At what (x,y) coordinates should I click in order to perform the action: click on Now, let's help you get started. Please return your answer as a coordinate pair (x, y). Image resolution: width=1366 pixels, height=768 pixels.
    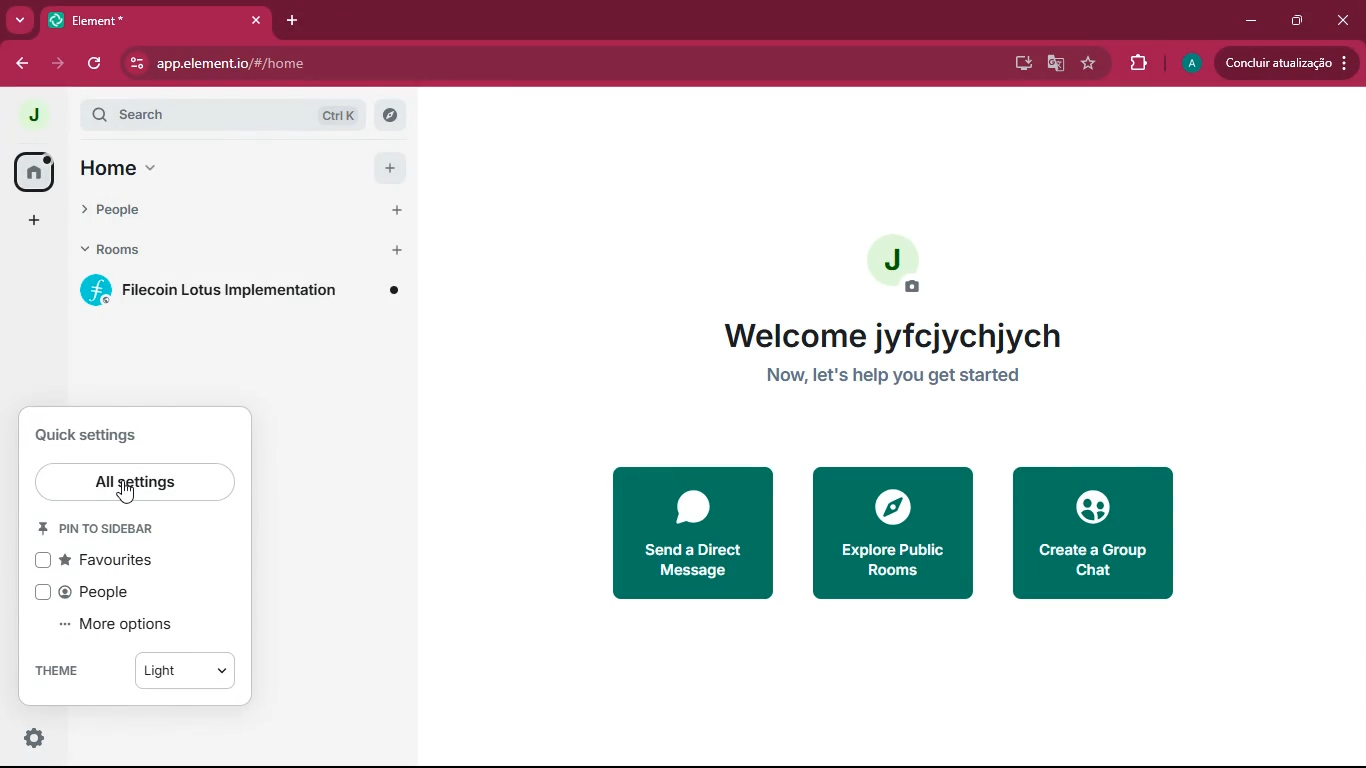
    Looking at the image, I should click on (903, 373).